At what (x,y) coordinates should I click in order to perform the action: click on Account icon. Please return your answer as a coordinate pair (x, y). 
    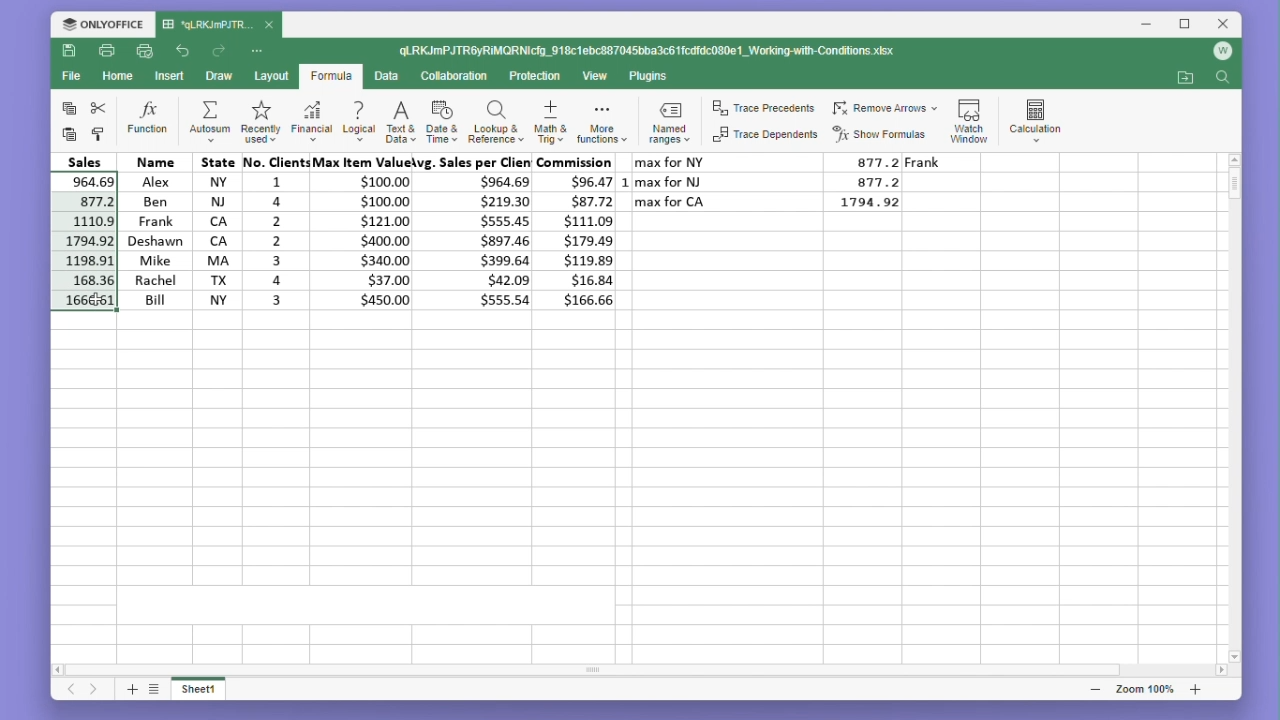
    Looking at the image, I should click on (1218, 55).